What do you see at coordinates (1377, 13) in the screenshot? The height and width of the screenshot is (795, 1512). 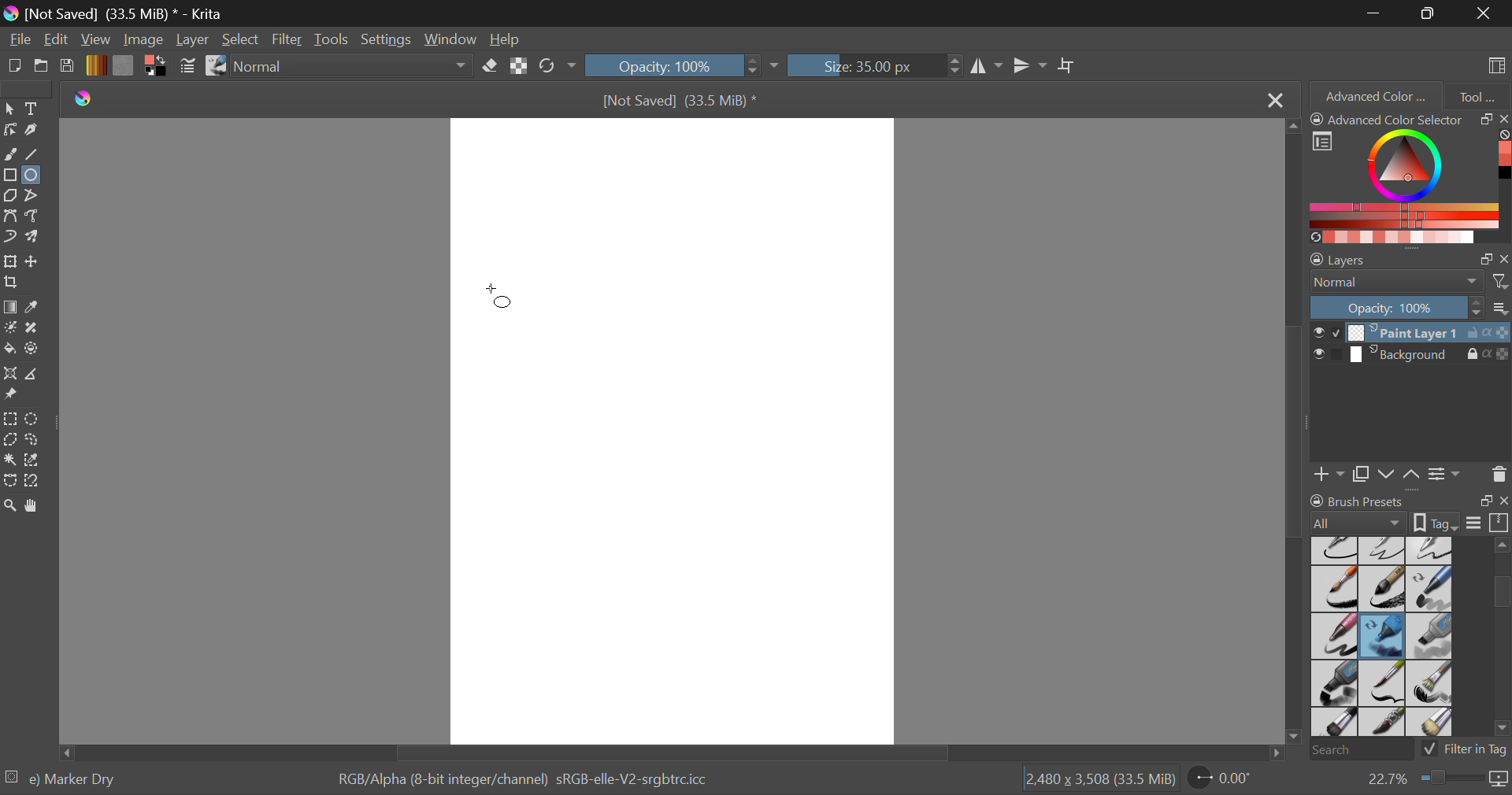 I see `Restore Down` at bounding box center [1377, 13].